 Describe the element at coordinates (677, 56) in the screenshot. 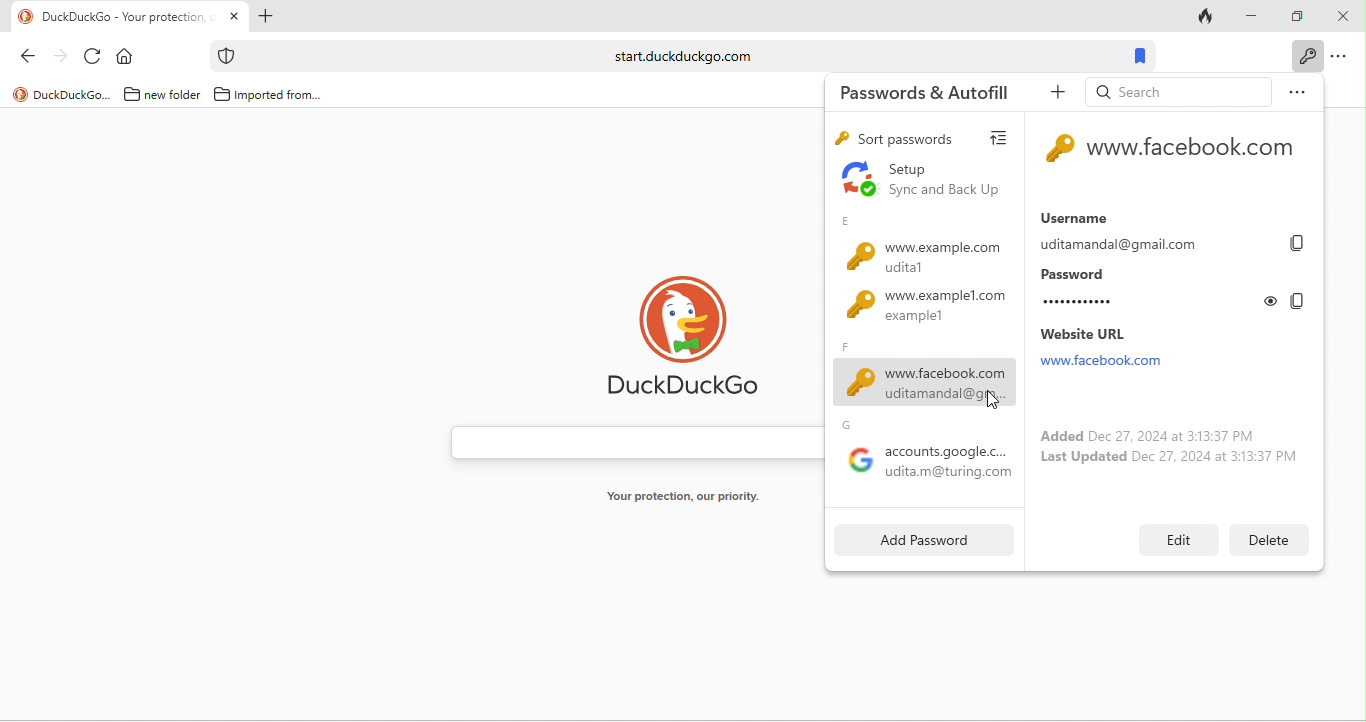

I see `search bar` at that location.